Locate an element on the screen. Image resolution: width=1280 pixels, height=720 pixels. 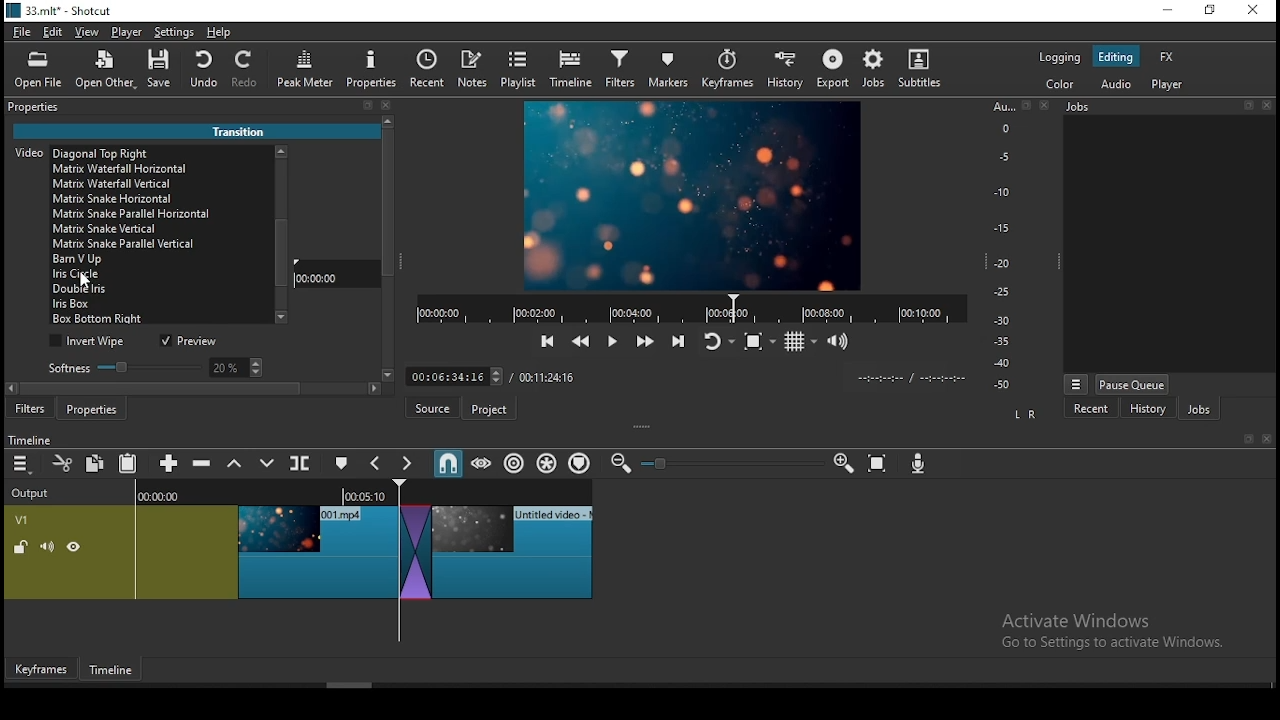
open file is located at coordinates (43, 72).